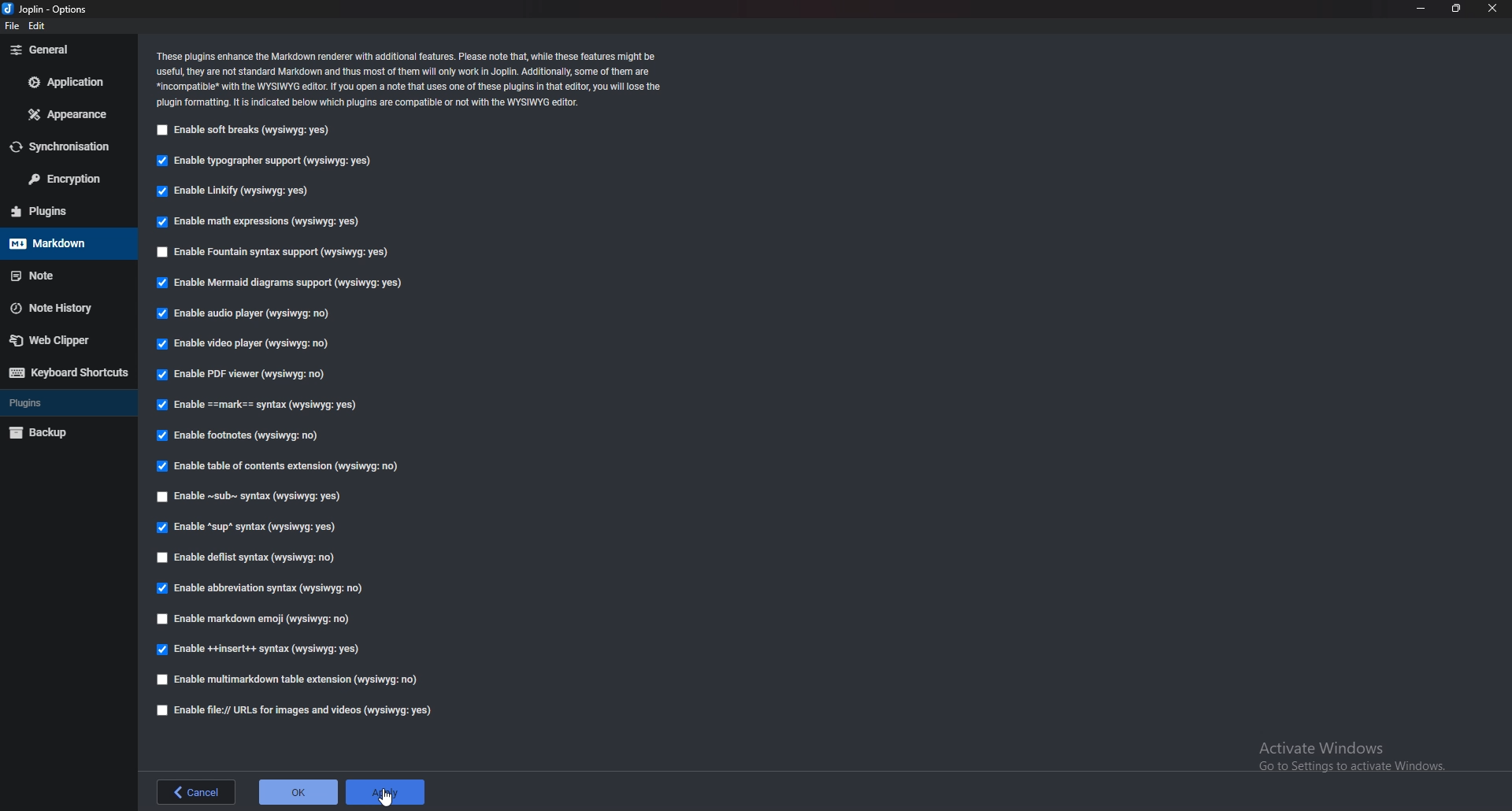  I want to click on ok, so click(299, 791).